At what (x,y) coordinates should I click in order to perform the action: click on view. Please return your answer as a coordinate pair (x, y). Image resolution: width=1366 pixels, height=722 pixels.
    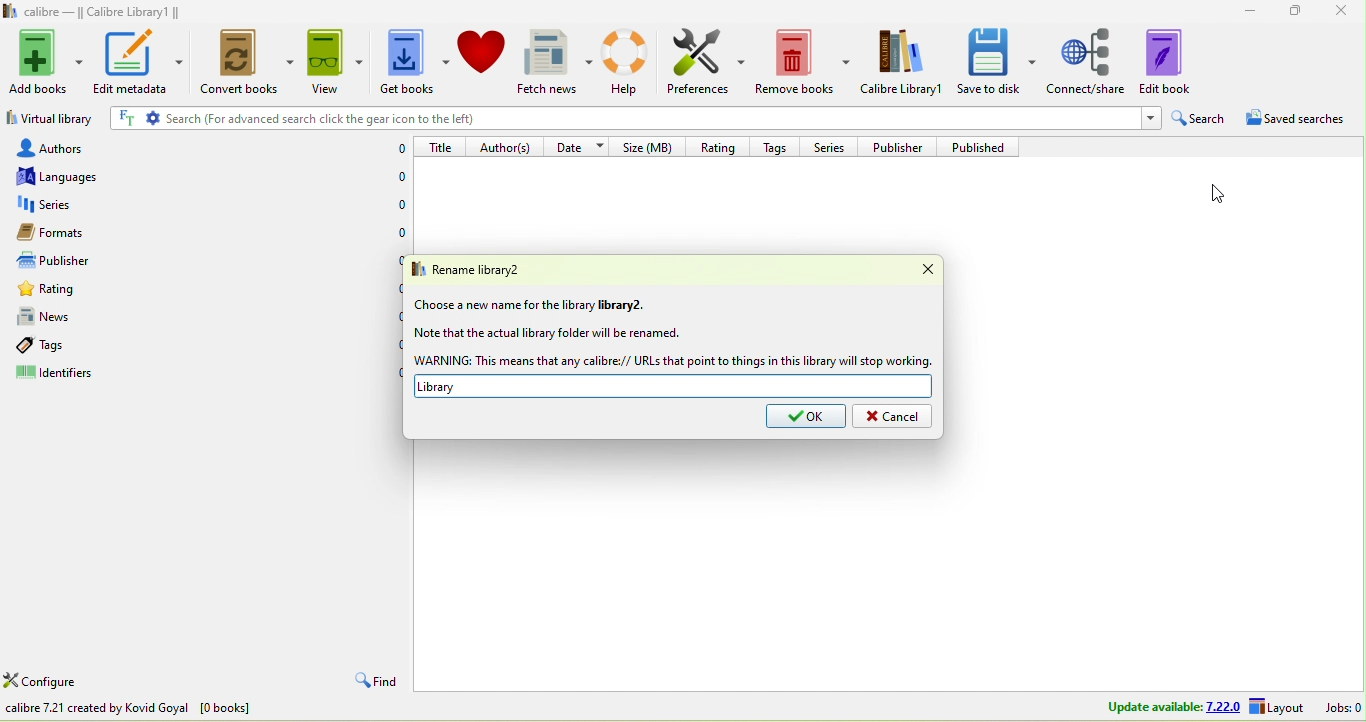
    Looking at the image, I should click on (333, 61).